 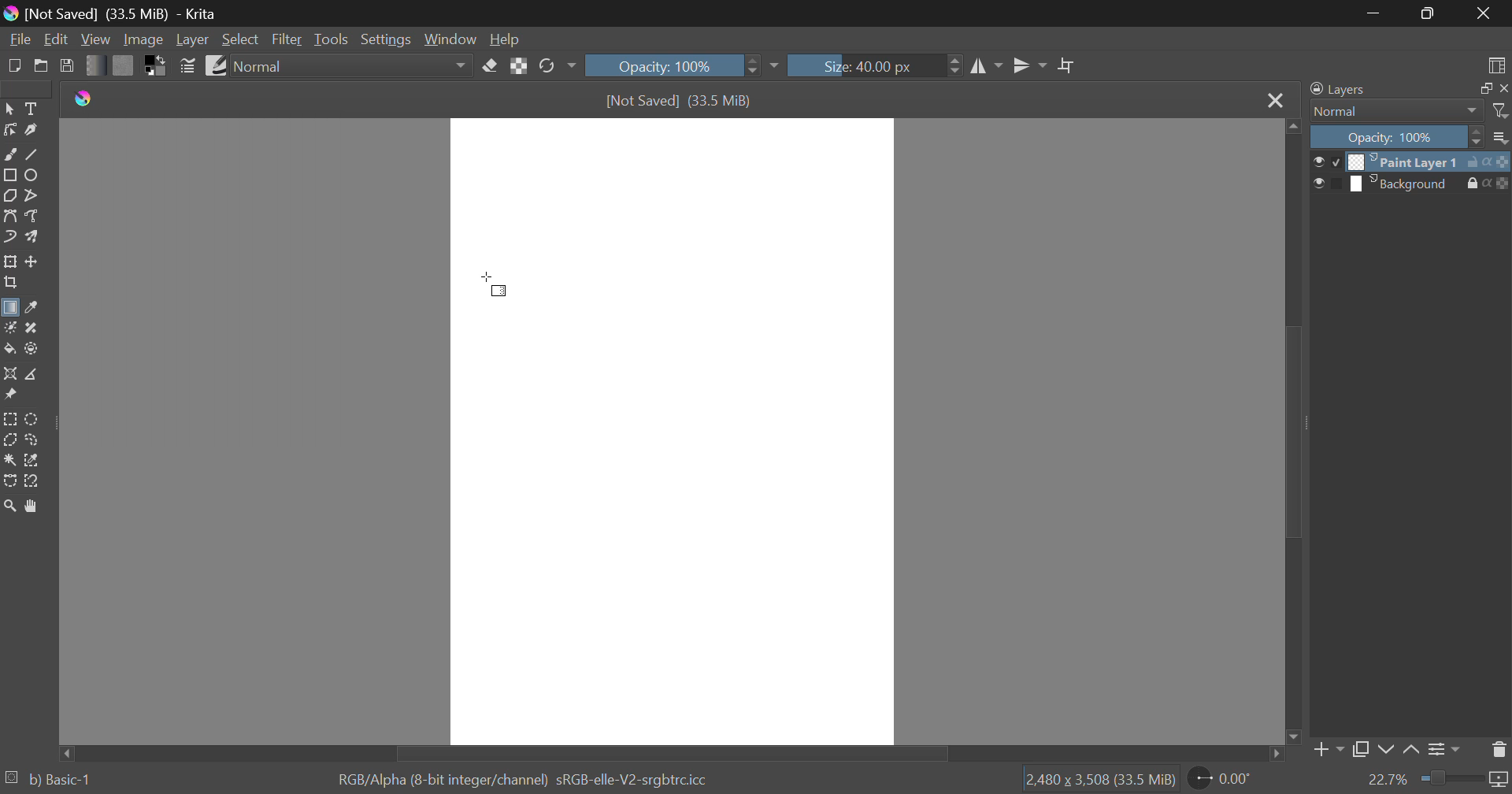 What do you see at coordinates (41, 65) in the screenshot?
I see `Open` at bounding box center [41, 65].